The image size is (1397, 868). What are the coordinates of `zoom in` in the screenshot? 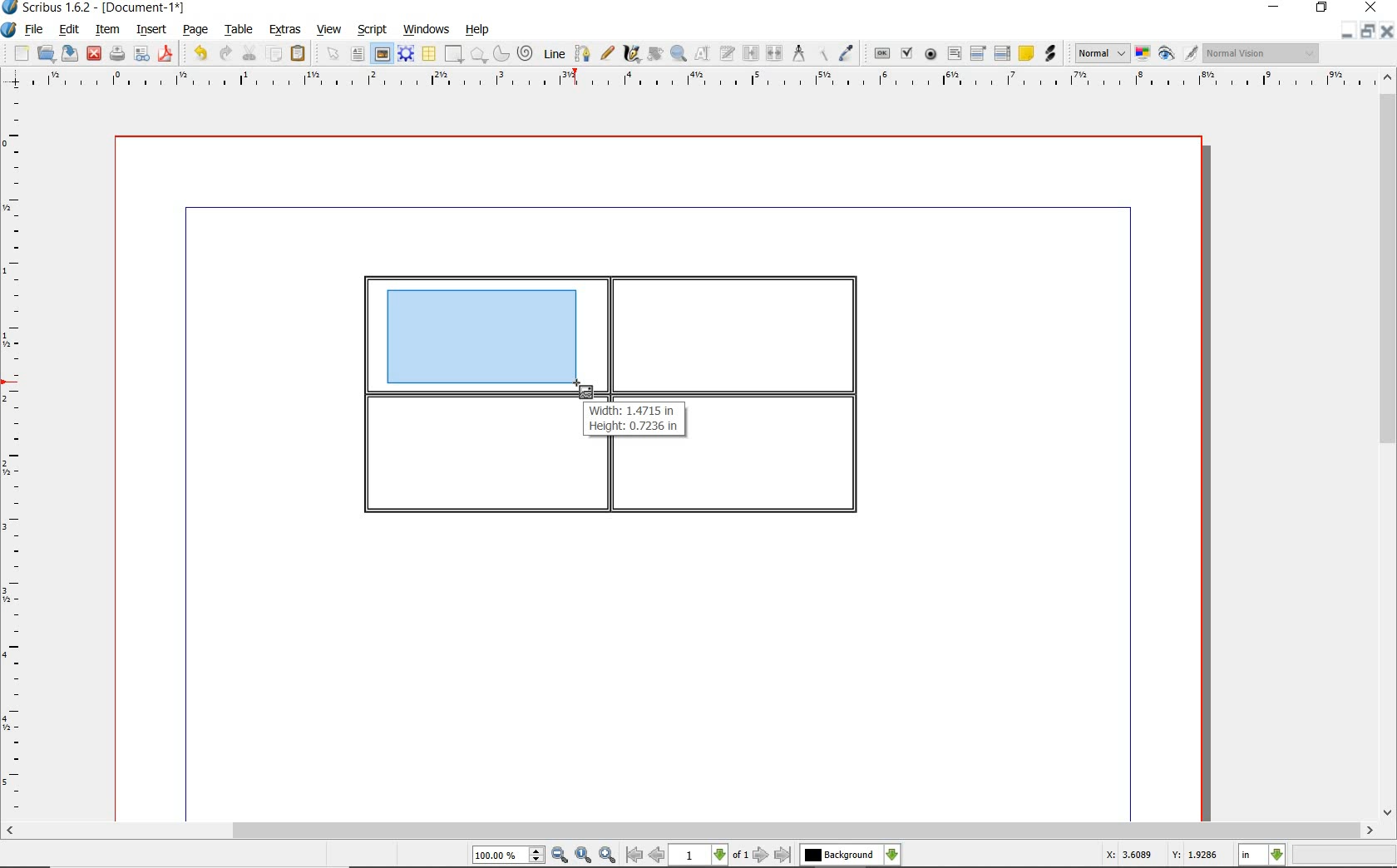 It's located at (608, 856).